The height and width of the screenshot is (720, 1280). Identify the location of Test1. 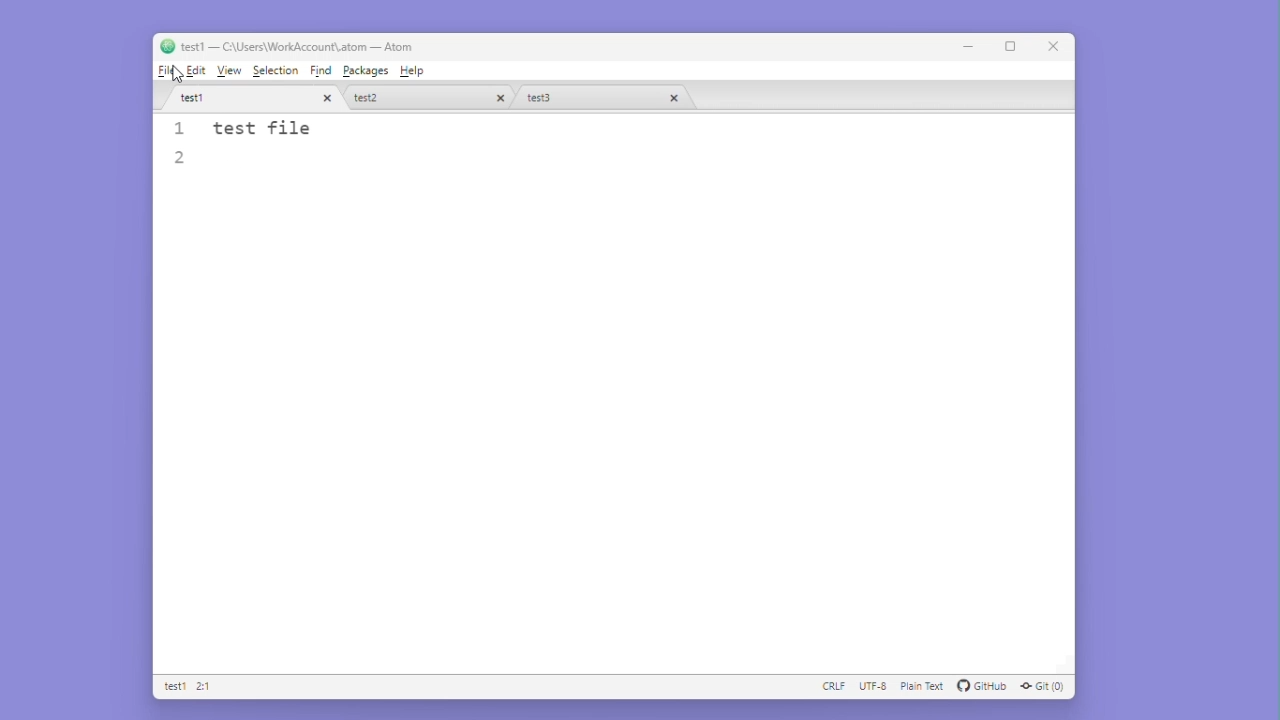
(236, 98).